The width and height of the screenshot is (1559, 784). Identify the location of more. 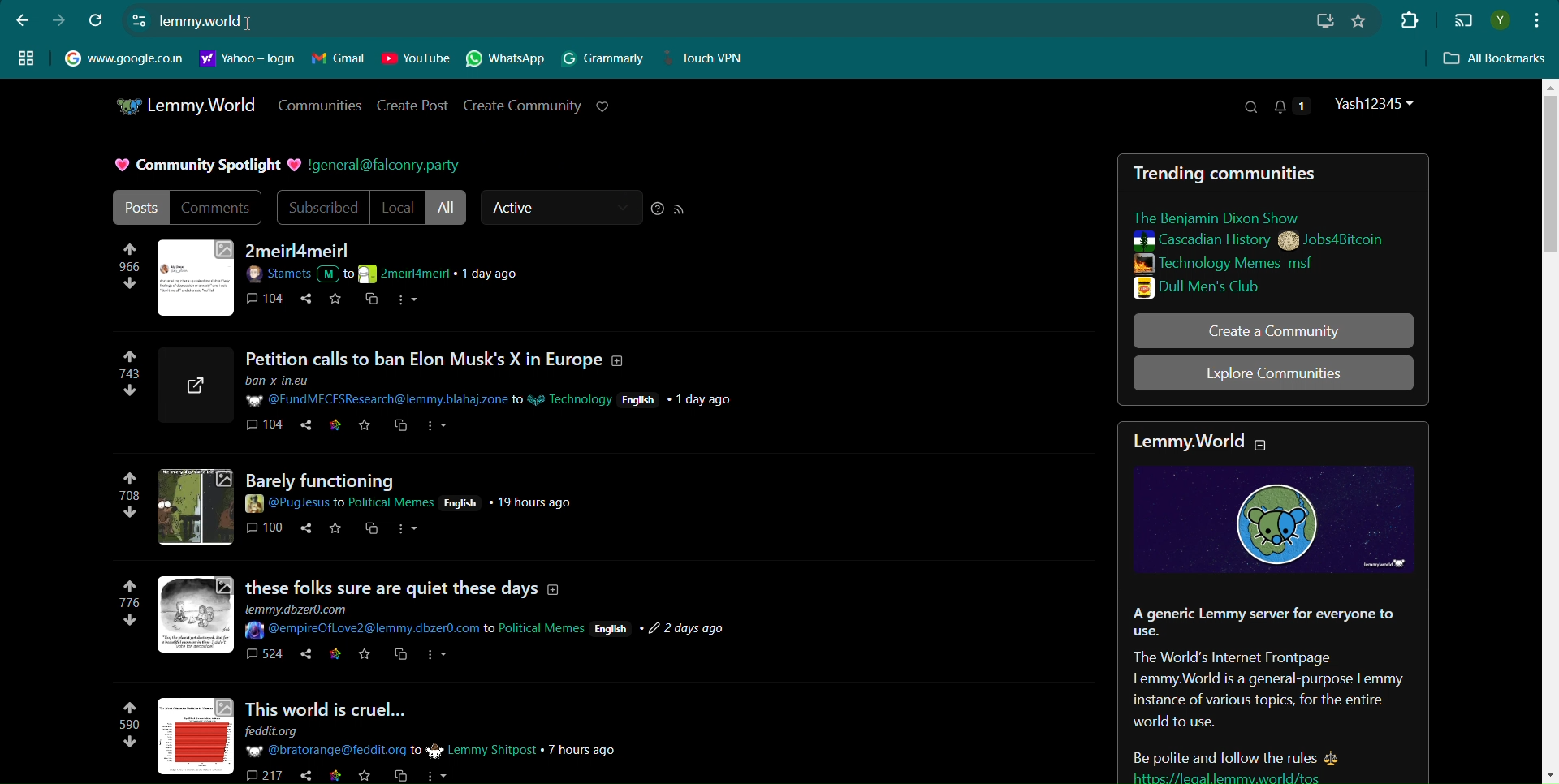
(408, 532).